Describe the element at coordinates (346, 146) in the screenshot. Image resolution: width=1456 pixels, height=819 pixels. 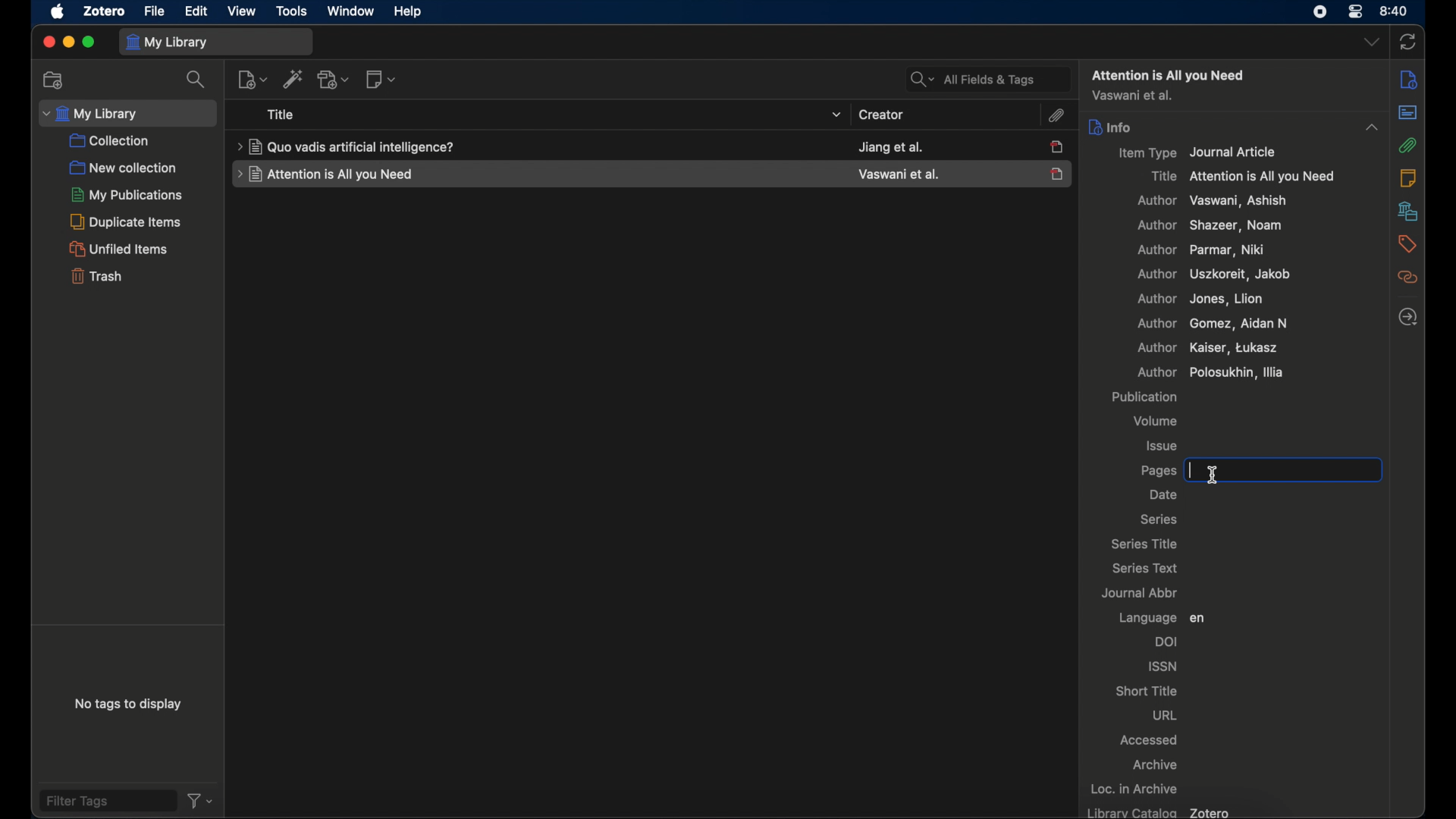
I see `title` at that location.